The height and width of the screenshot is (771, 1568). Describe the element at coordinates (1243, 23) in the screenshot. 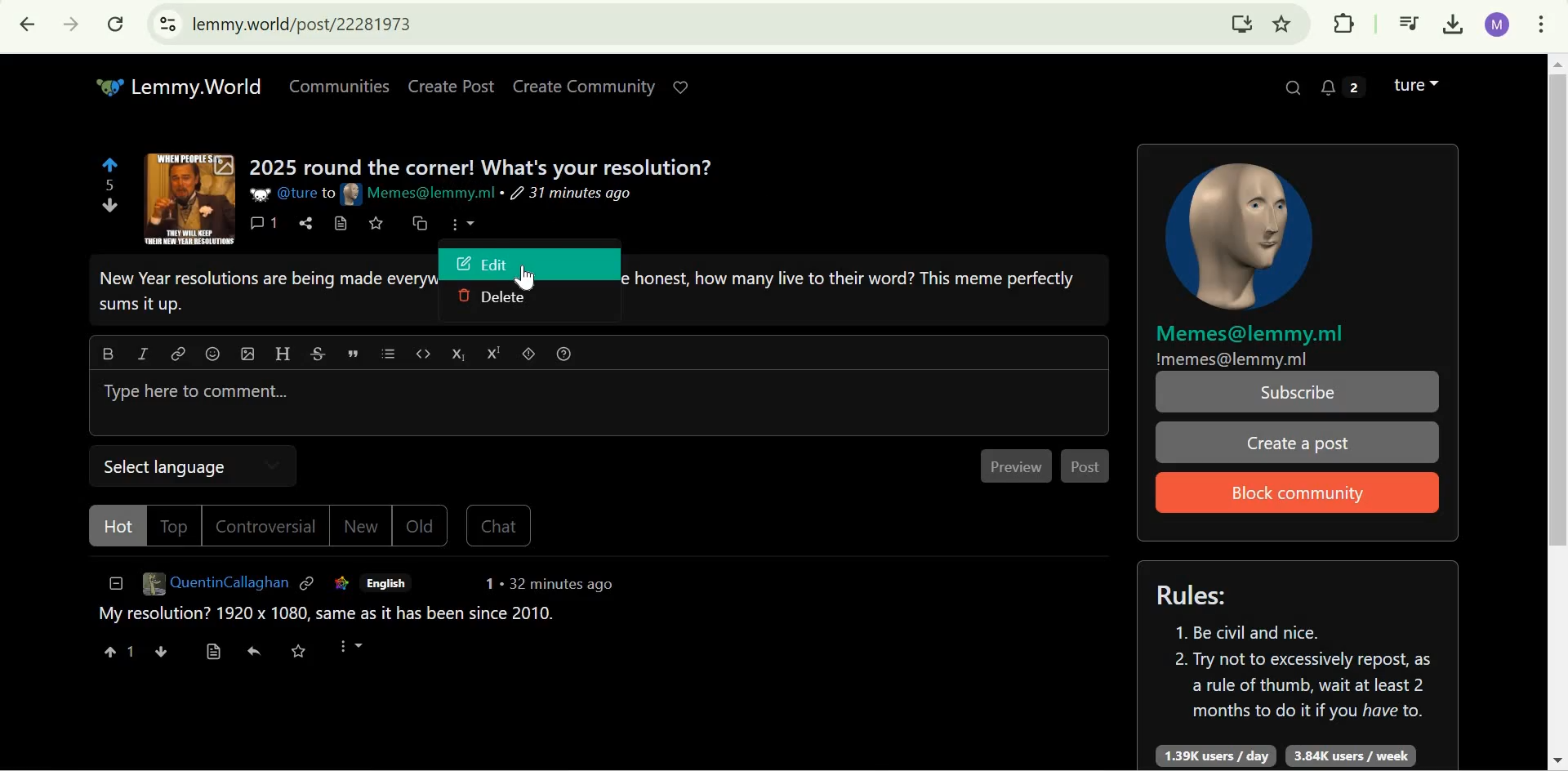

I see `Install Lemmy.World` at that location.